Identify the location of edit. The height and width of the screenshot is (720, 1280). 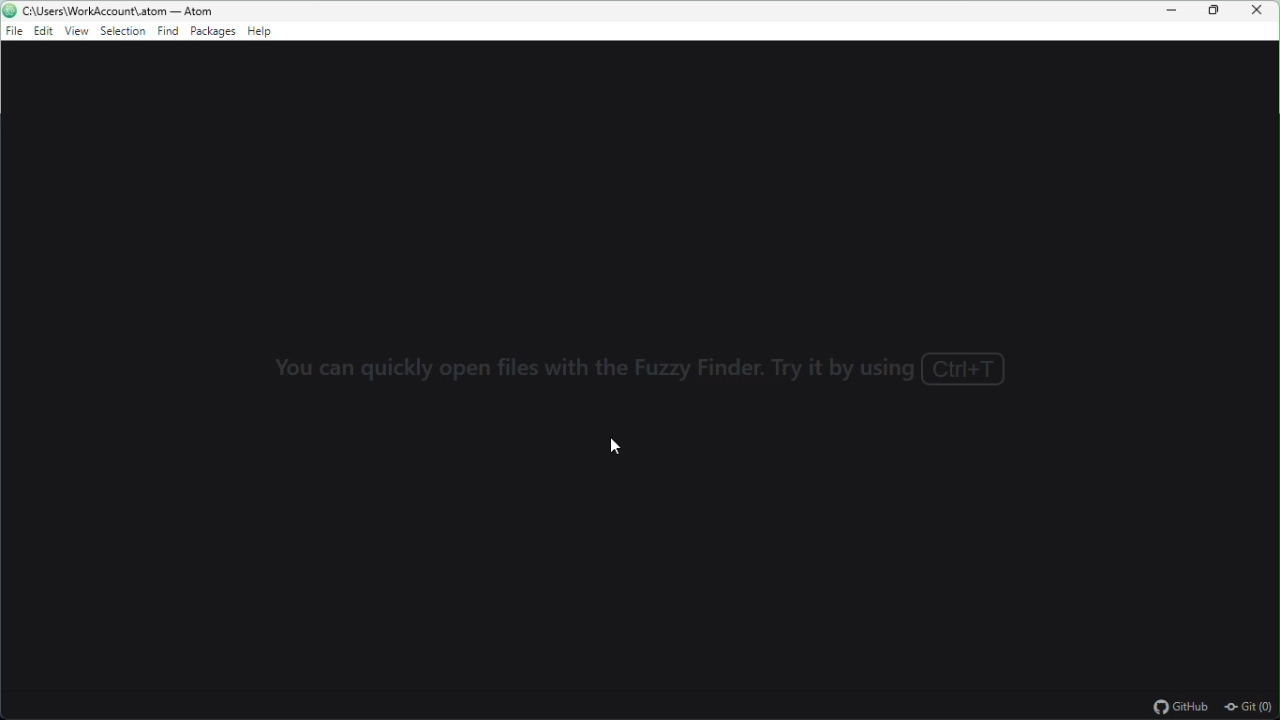
(43, 34).